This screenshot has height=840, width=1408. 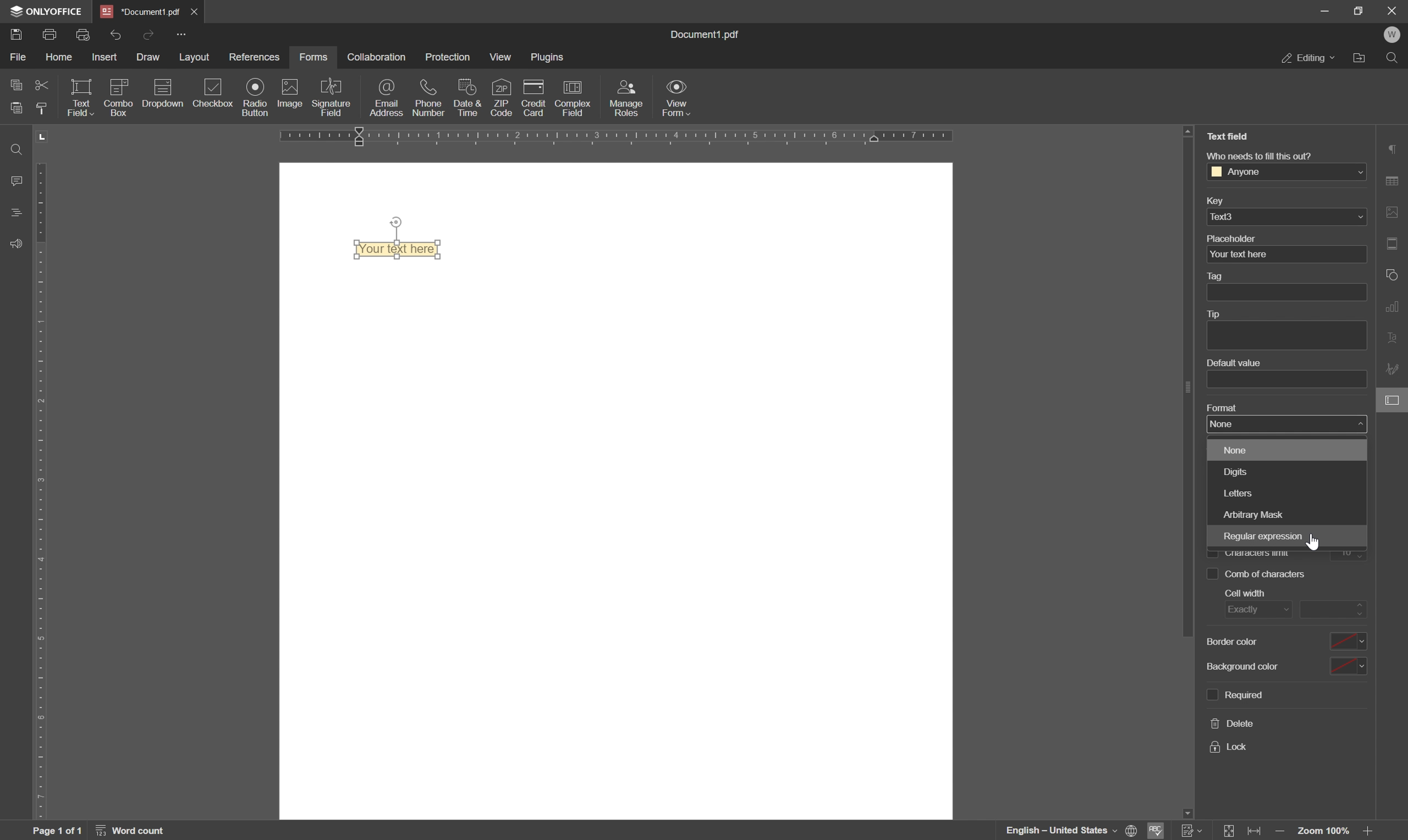 I want to click on image settings, so click(x=1395, y=212).